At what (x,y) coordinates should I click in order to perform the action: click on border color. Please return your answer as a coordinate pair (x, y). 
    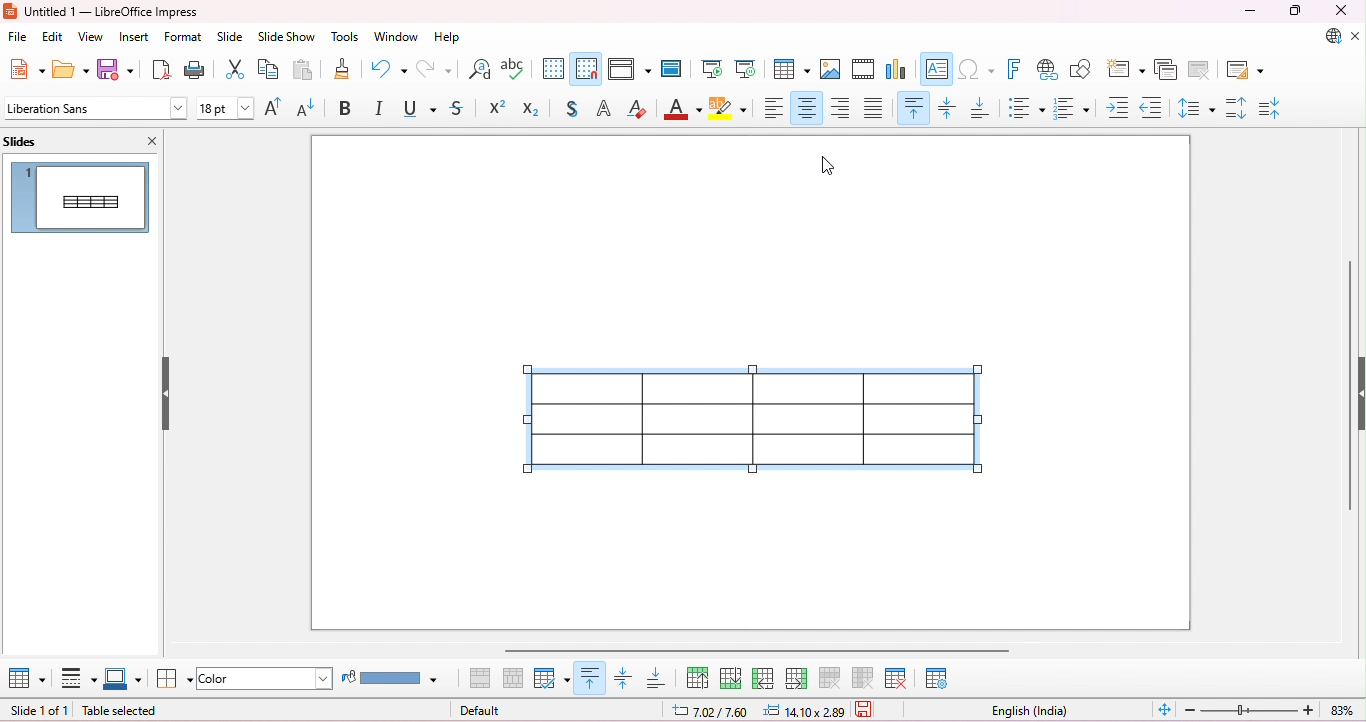
    Looking at the image, I should click on (123, 676).